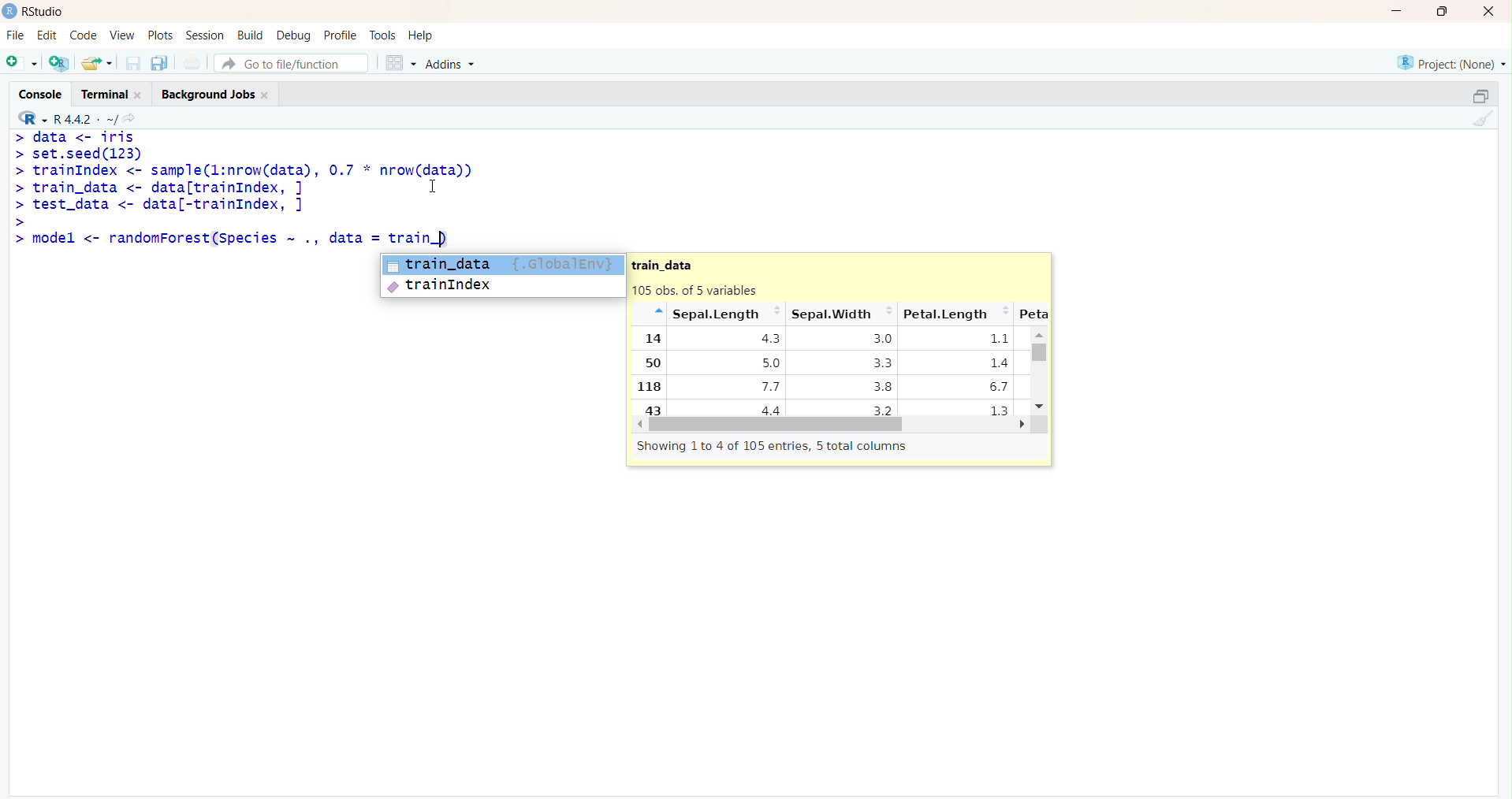 The image size is (1512, 799). I want to click on train_data
105 obs. of 5 variables
“* Sepal.length ~~ SepalWidth ~ Petal.Length
1a 43 3.0 11
50 5.0 33 14
118 7.7 38 6.7
a3 4.4 32 13, so click(822, 335).